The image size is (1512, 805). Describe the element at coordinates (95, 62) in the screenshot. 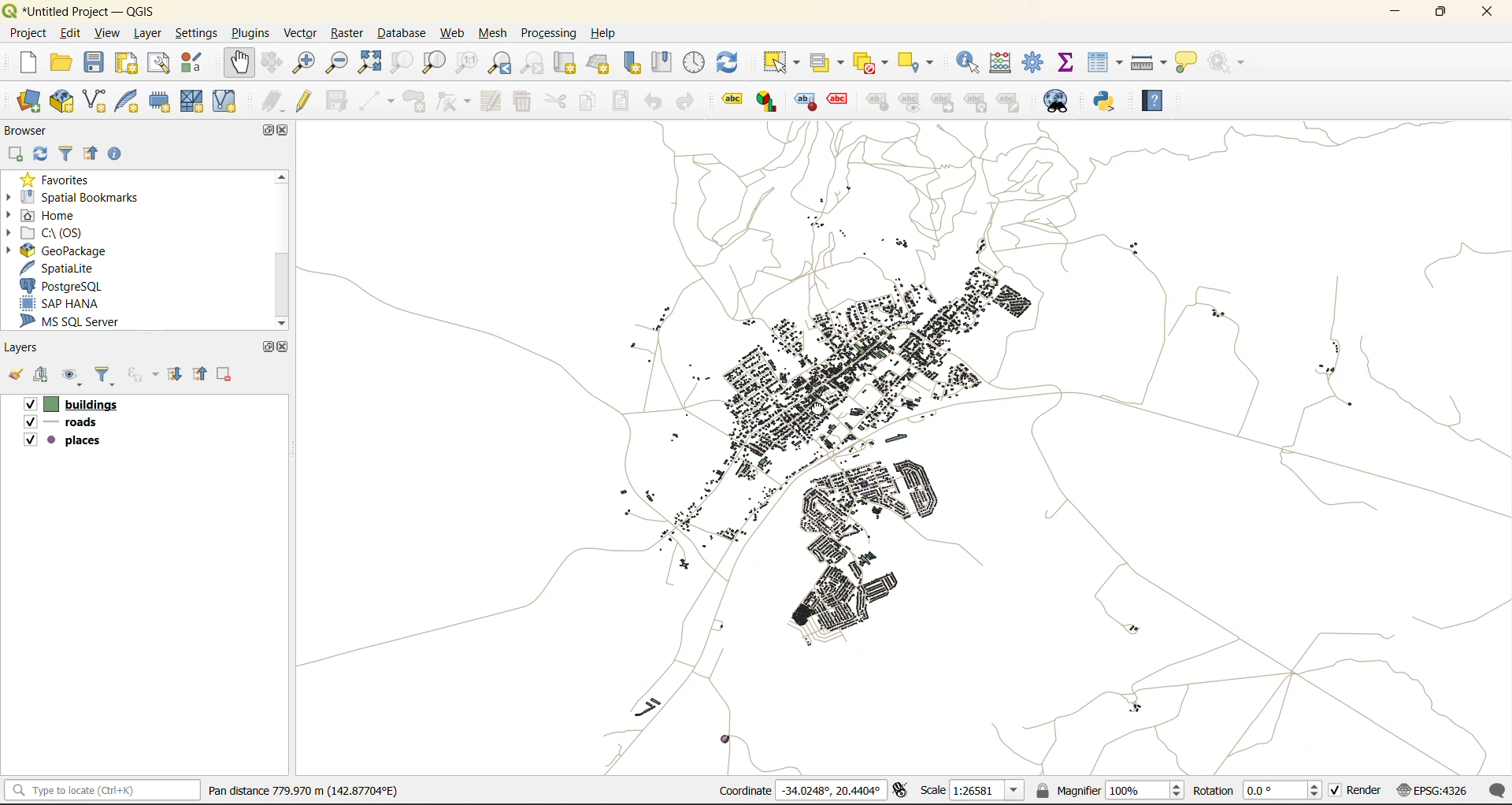

I see `save` at that location.